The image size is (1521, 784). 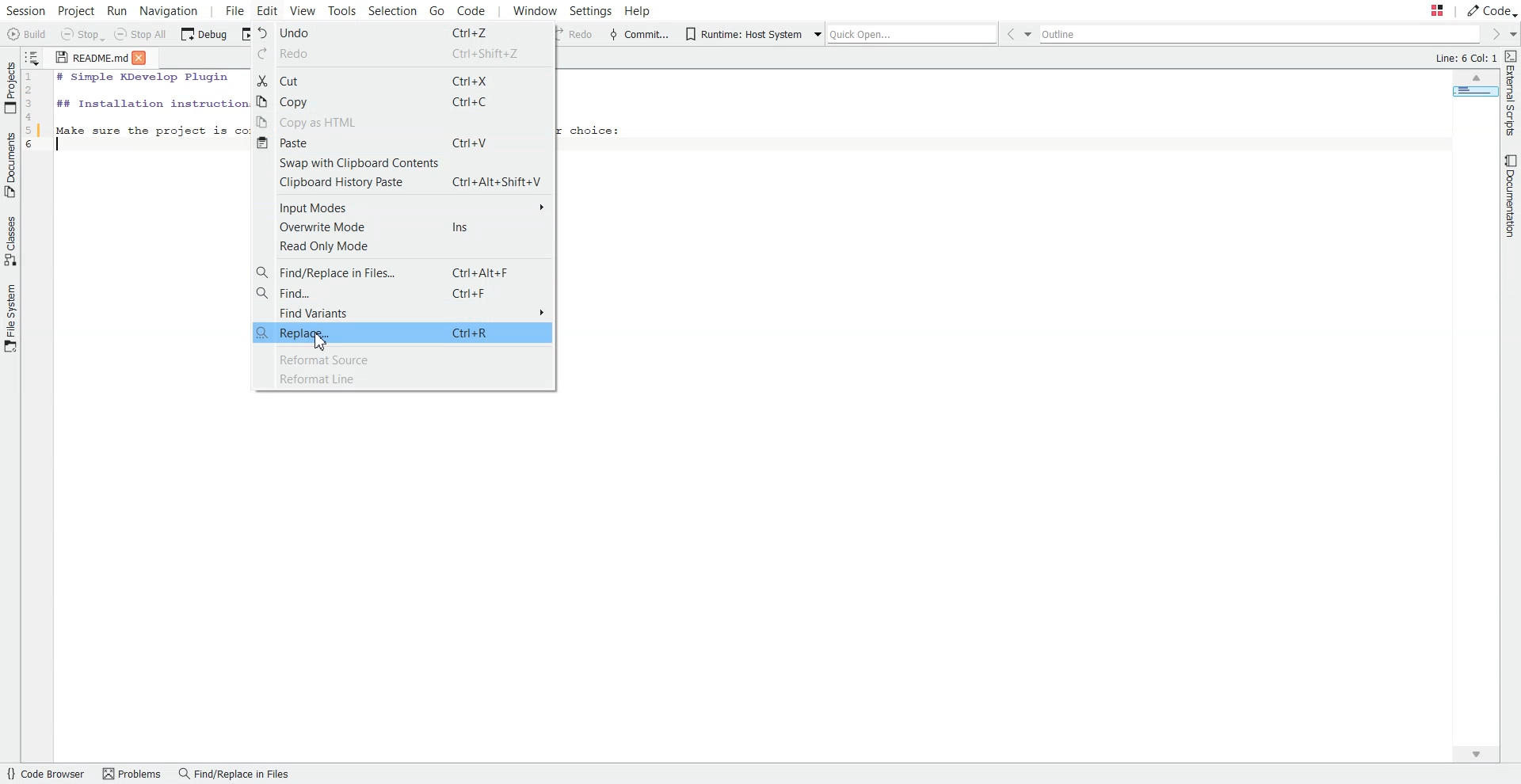 I want to click on Replace Ctrl+R, so click(x=402, y=332).